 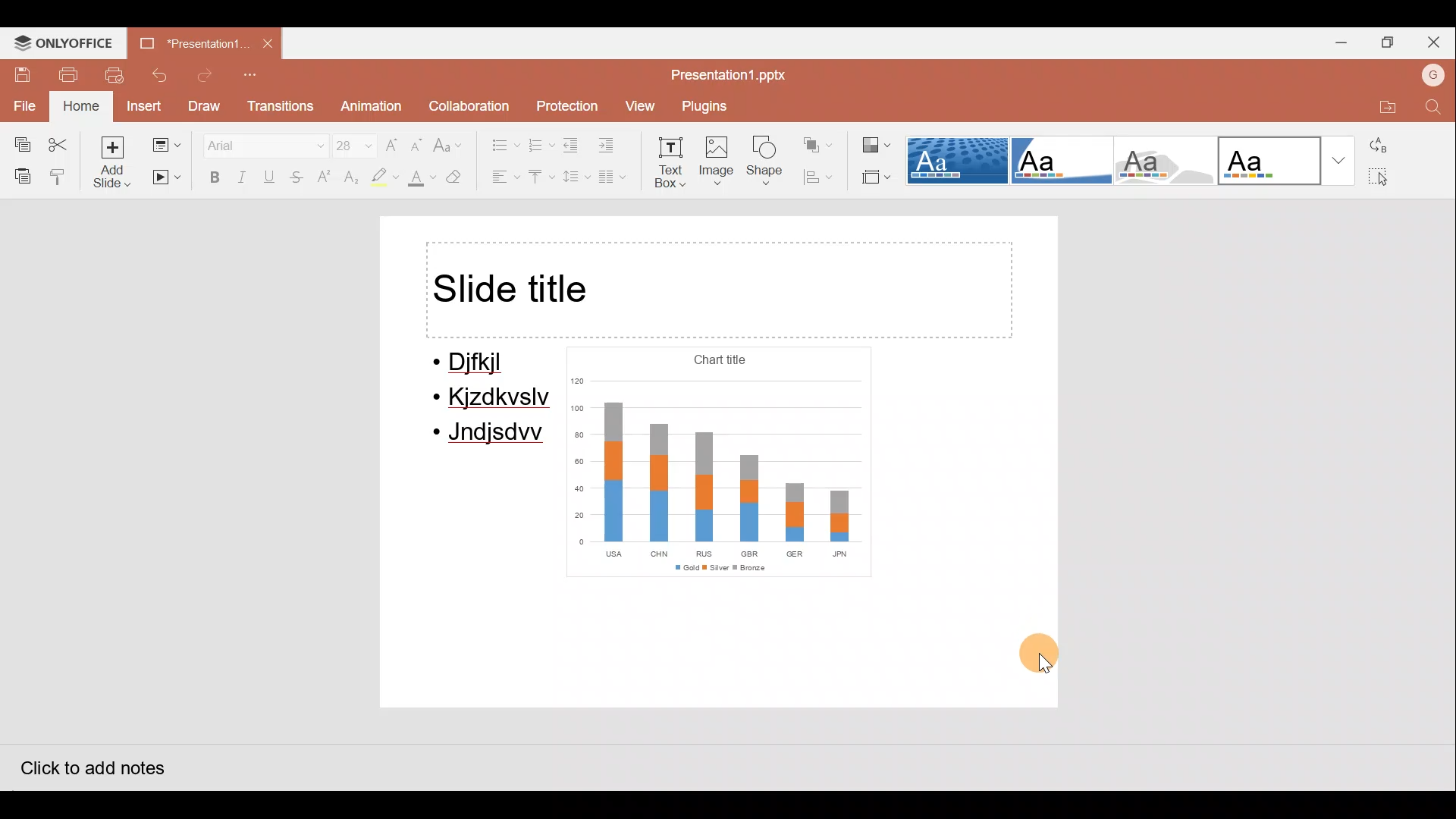 What do you see at coordinates (505, 179) in the screenshot?
I see `Horizontal align` at bounding box center [505, 179].